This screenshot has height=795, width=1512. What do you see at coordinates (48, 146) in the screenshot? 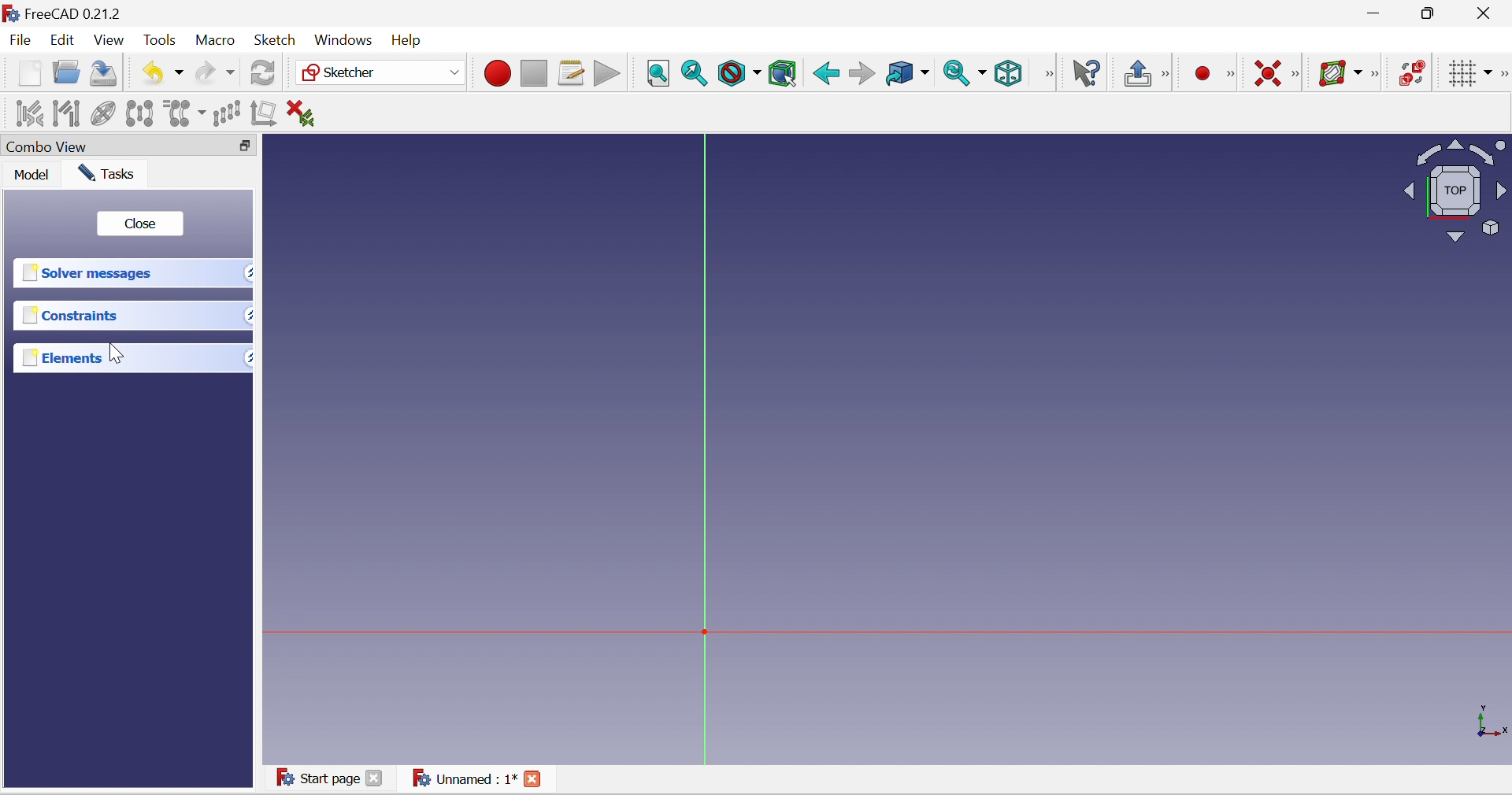
I see `Combo view` at bounding box center [48, 146].